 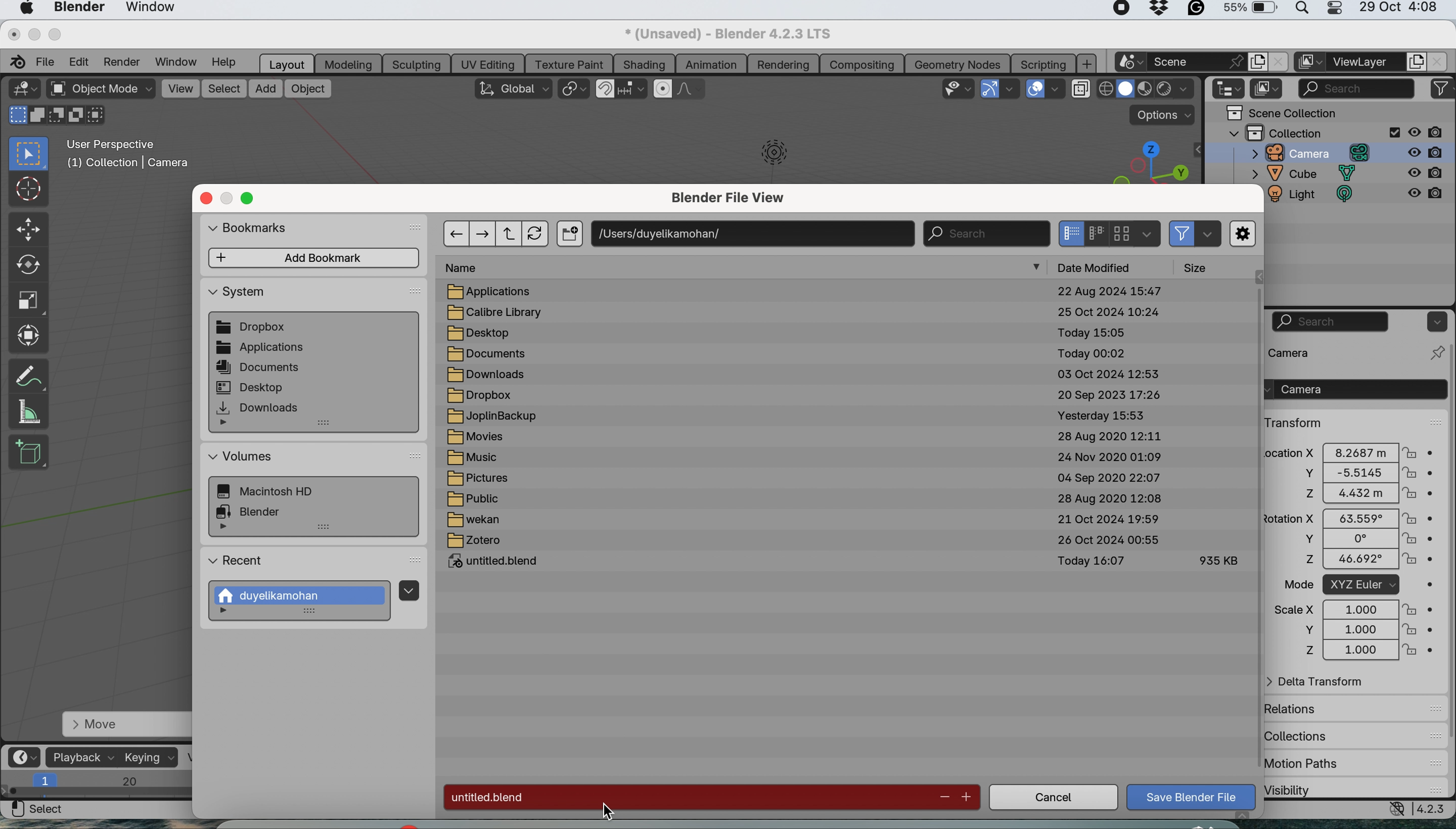 I want to click on light object, so click(x=767, y=157).